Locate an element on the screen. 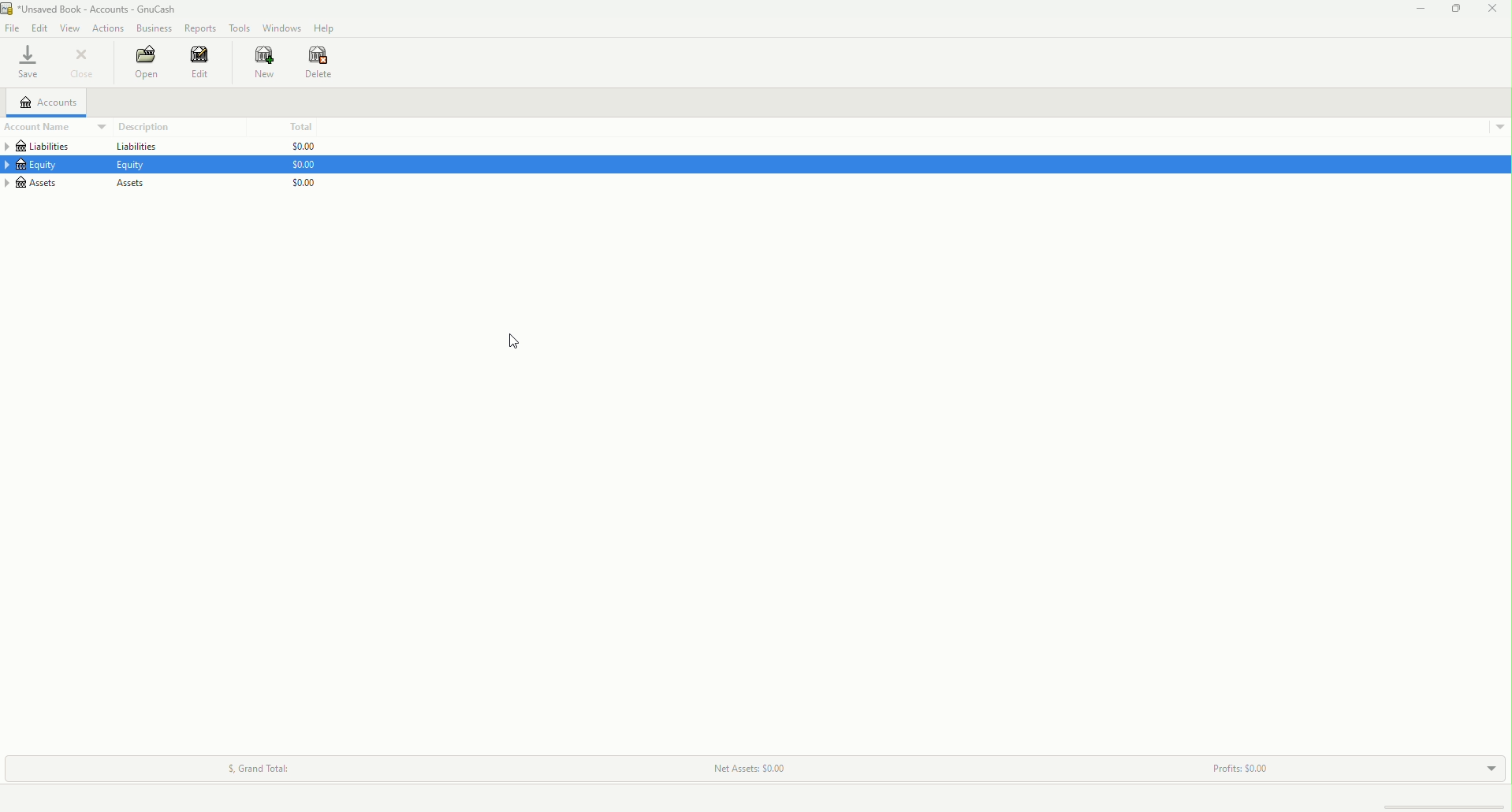 This screenshot has height=812, width=1512. New is located at coordinates (261, 63).